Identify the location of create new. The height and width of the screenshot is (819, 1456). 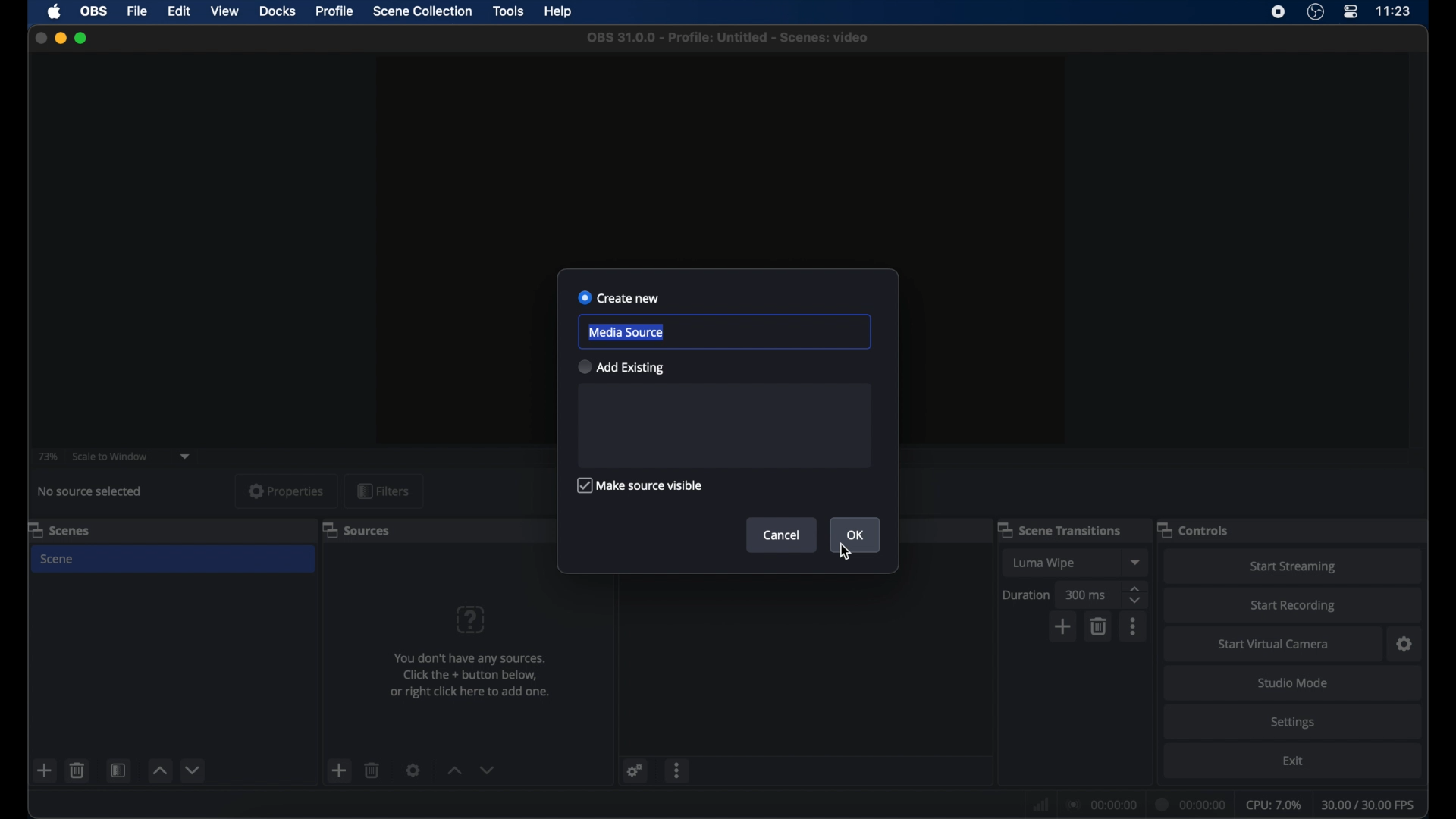
(618, 297).